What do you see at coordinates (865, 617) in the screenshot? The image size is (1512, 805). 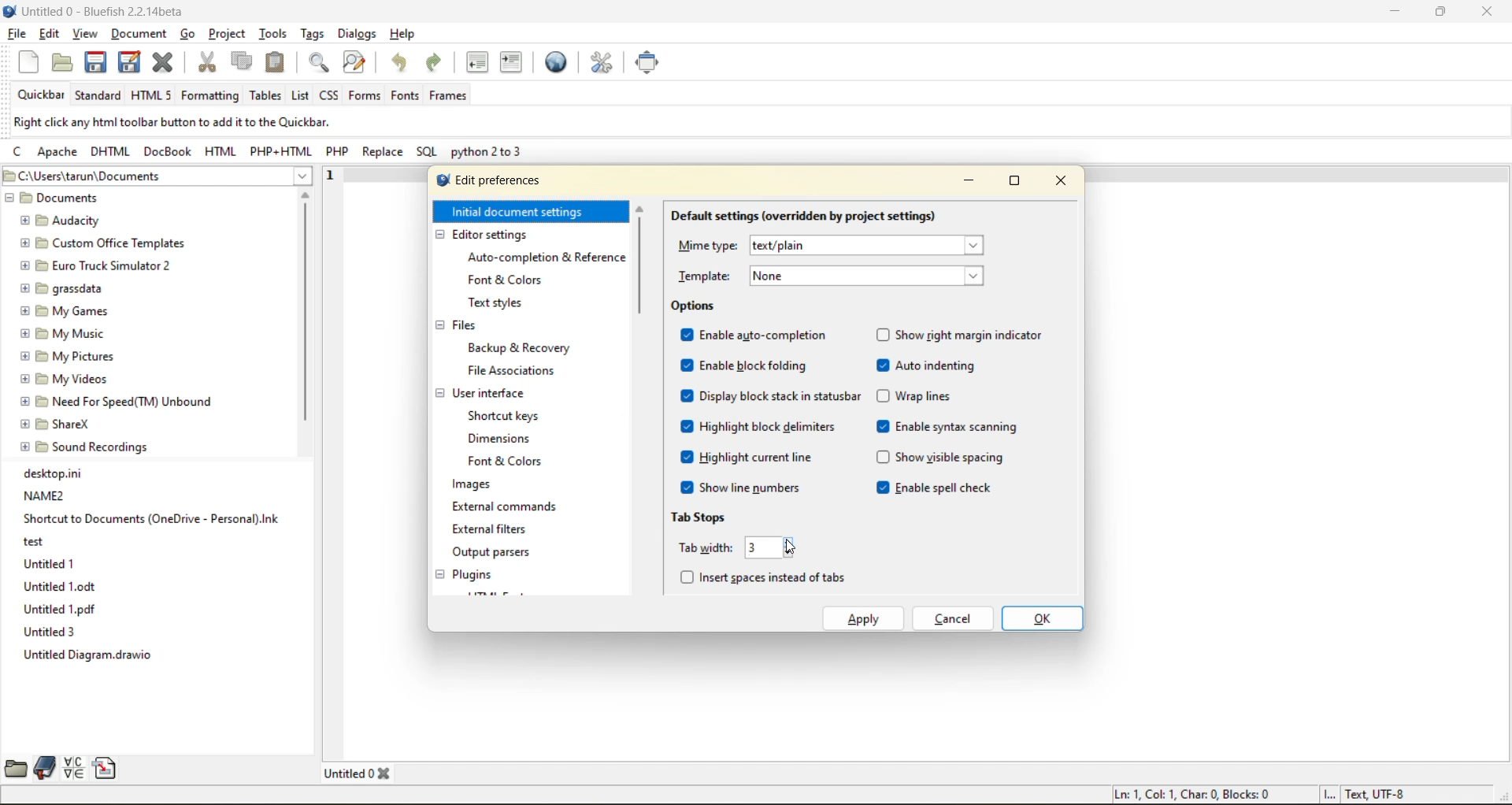 I see `apply` at bounding box center [865, 617].